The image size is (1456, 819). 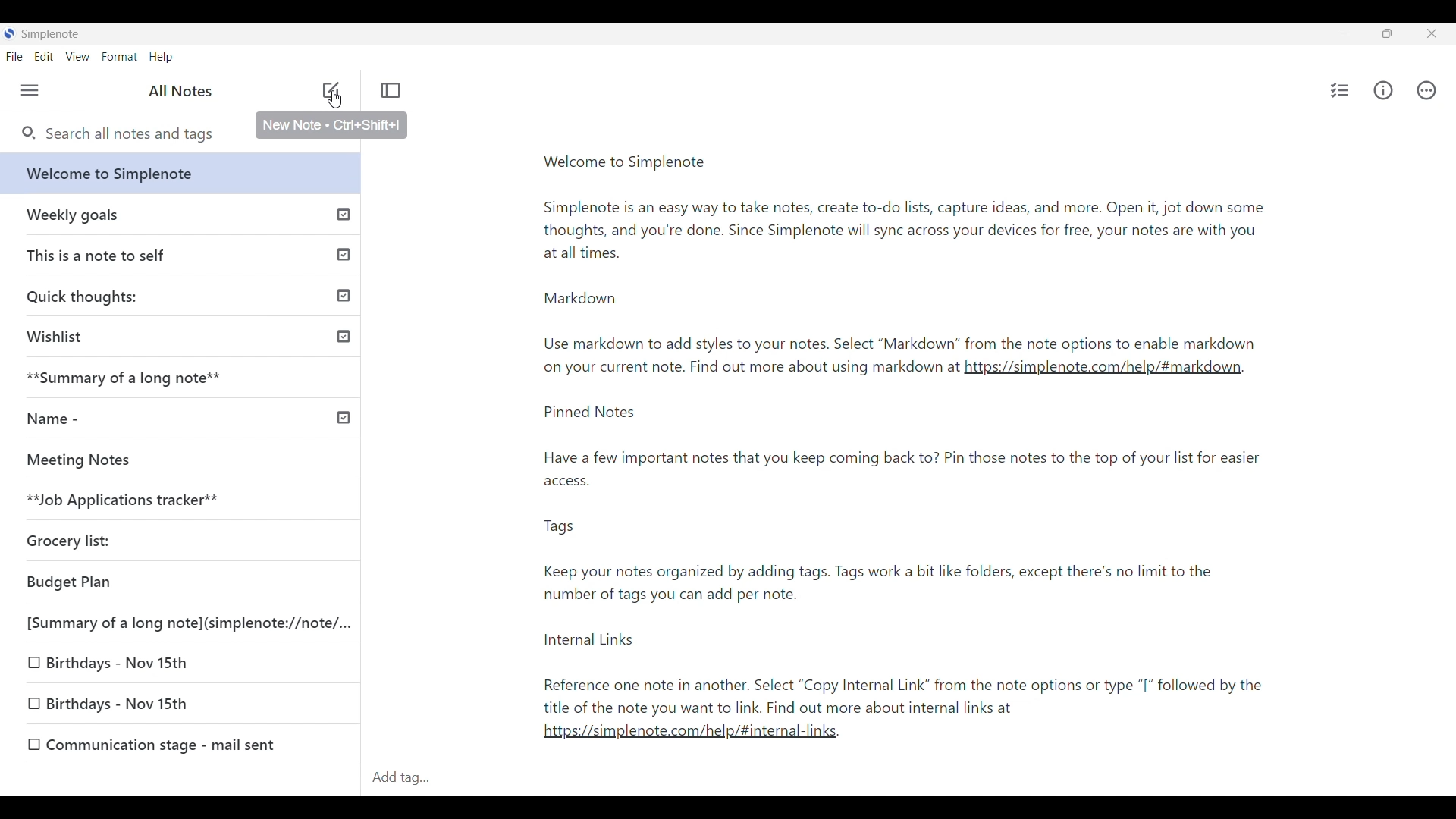 What do you see at coordinates (44, 56) in the screenshot?
I see `Edit menu` at bounding box center [44, 56].